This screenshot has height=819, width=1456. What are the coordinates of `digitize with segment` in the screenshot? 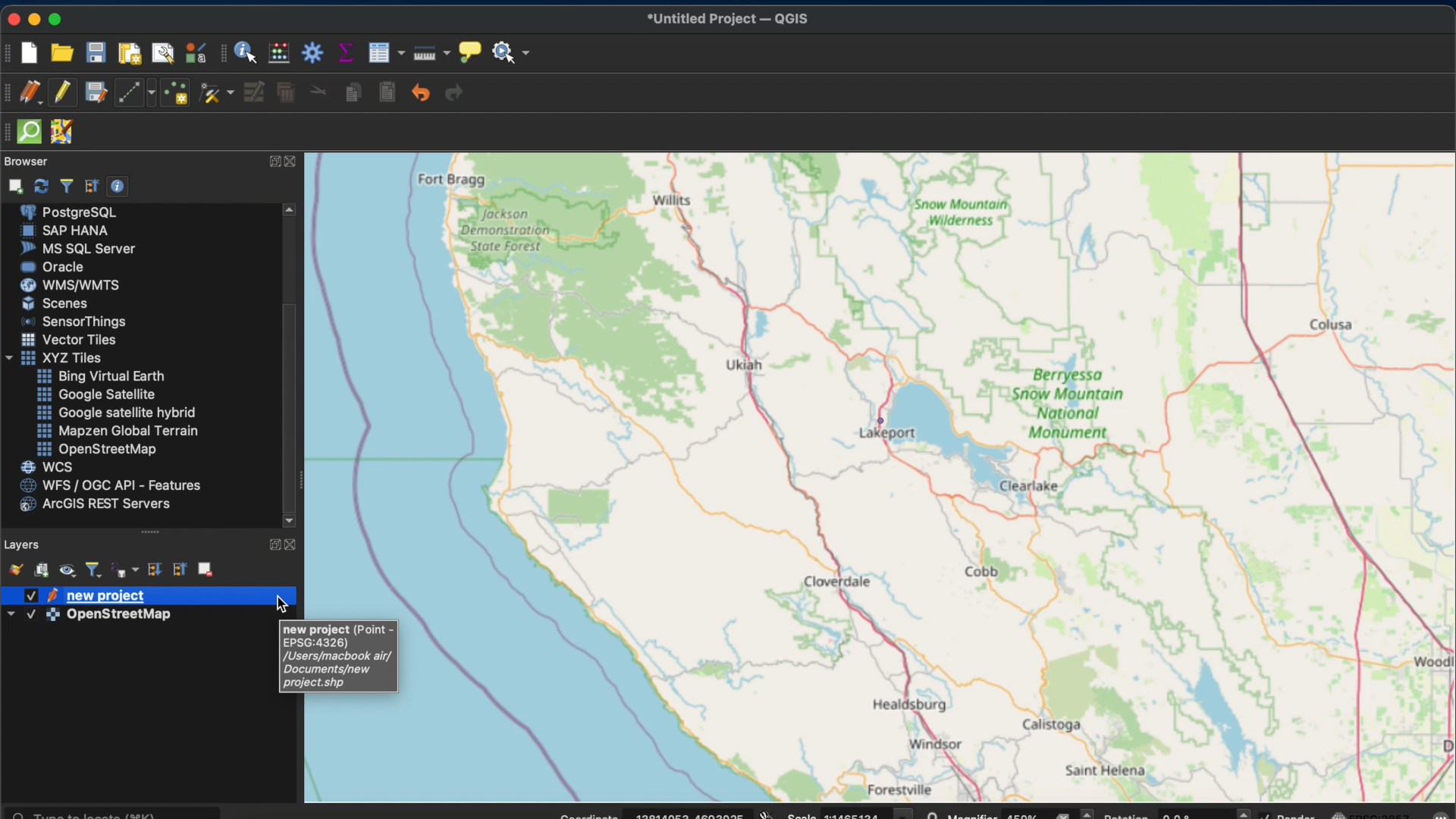 It's located at (134, 93).